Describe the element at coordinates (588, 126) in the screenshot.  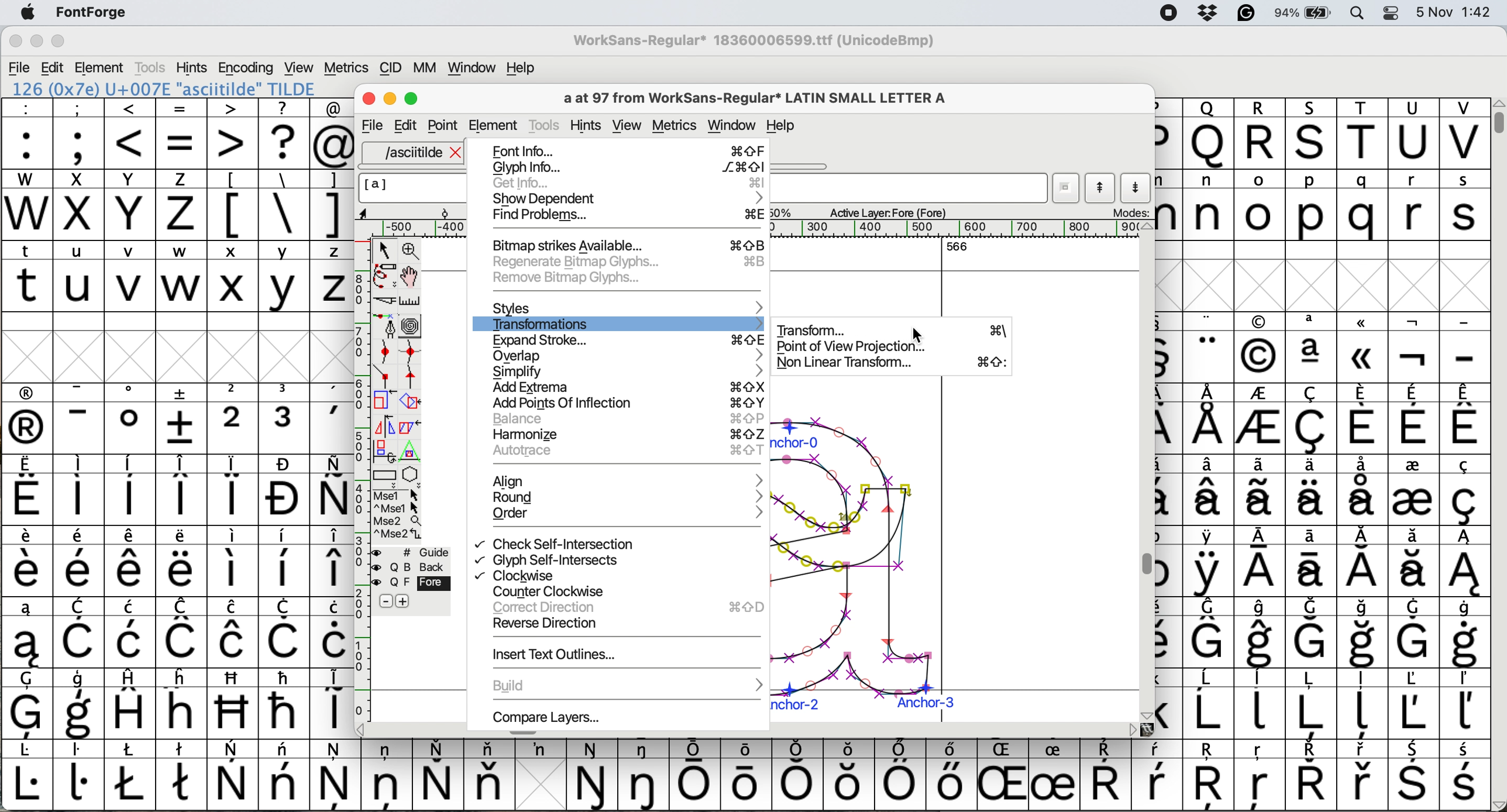
I see `hints` at that location.